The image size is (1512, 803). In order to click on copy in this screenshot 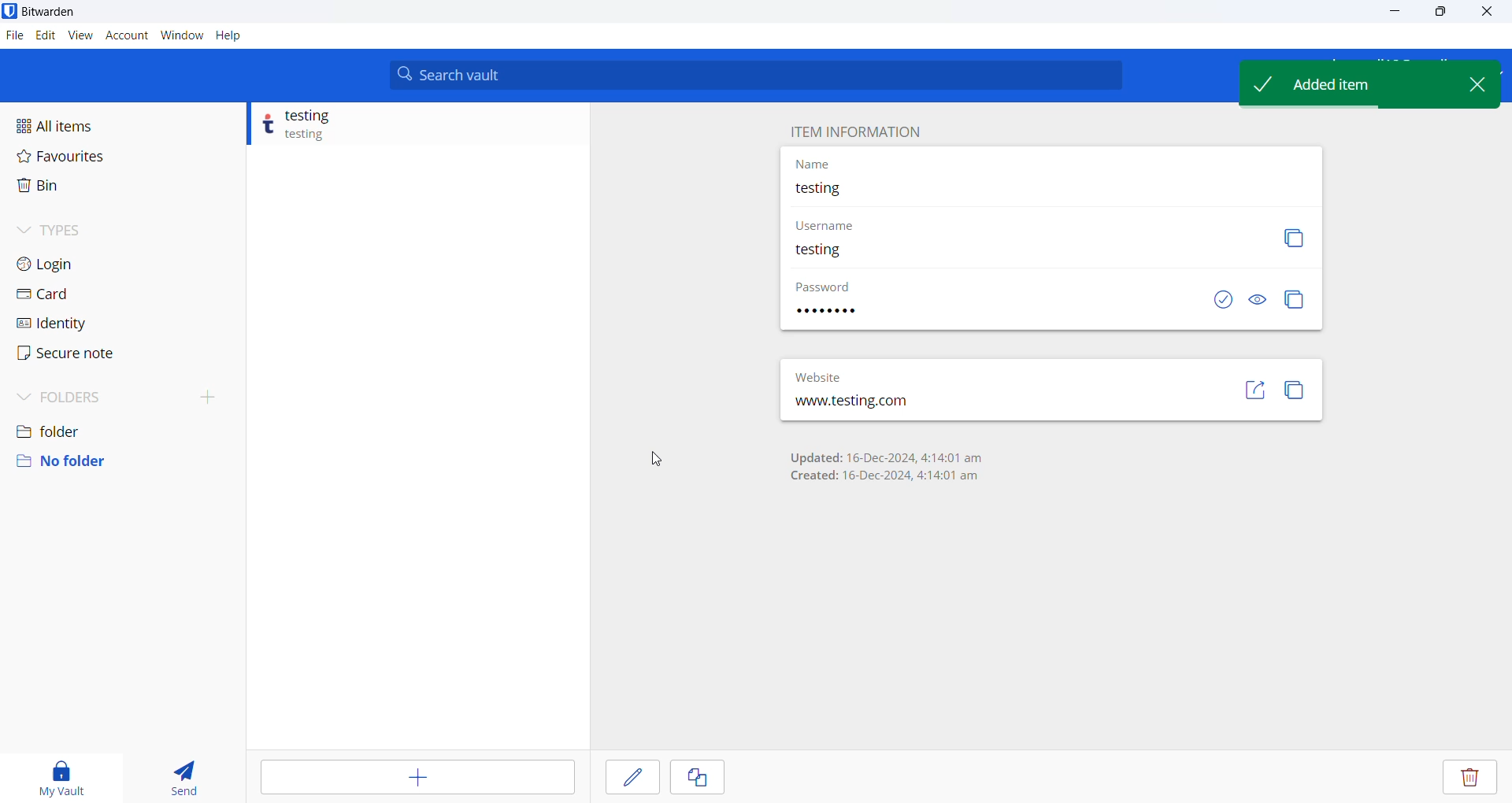, I will do `click(1292, 239)`.